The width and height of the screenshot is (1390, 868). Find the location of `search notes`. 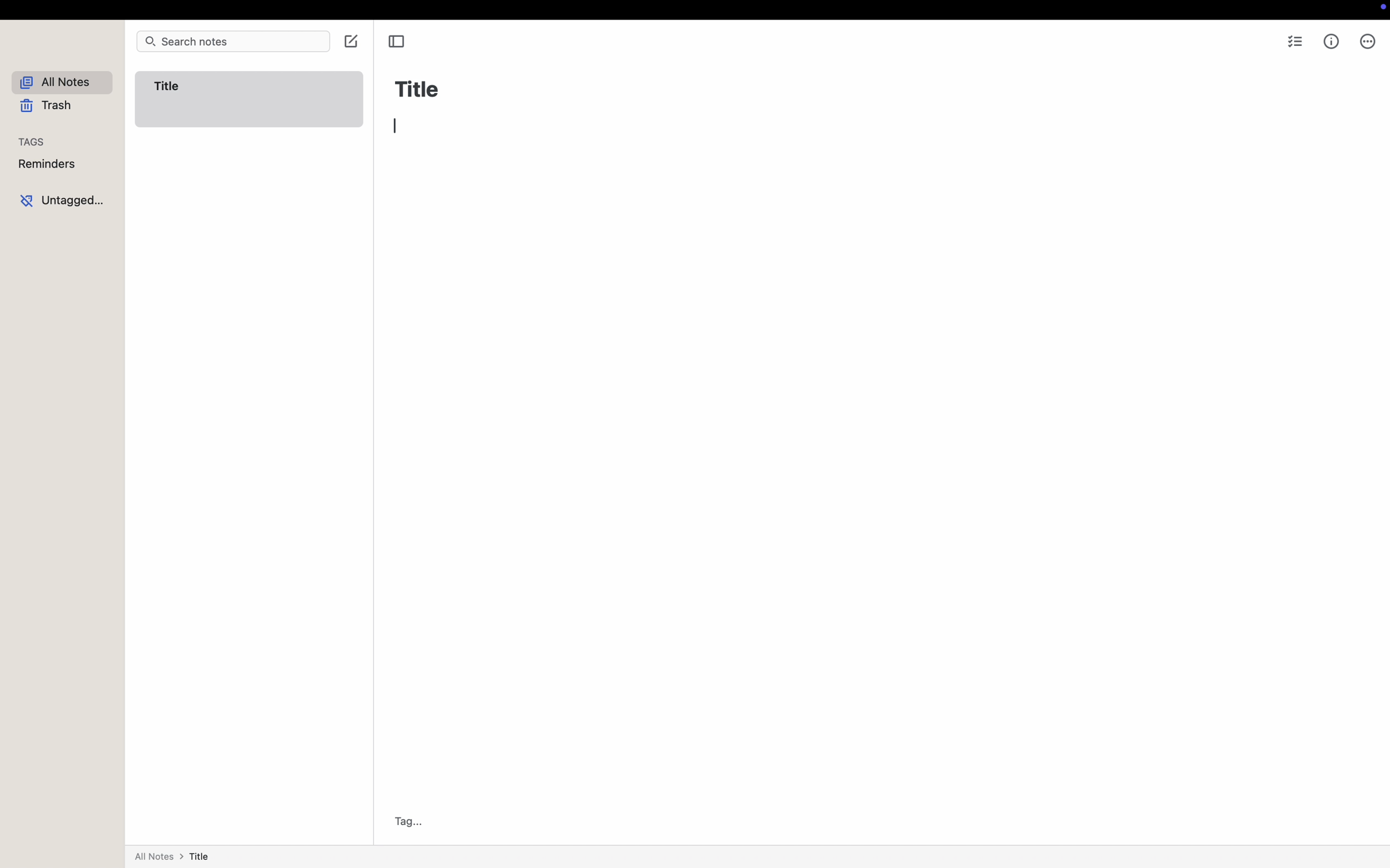

search notes is located at coordinates (233, 42).